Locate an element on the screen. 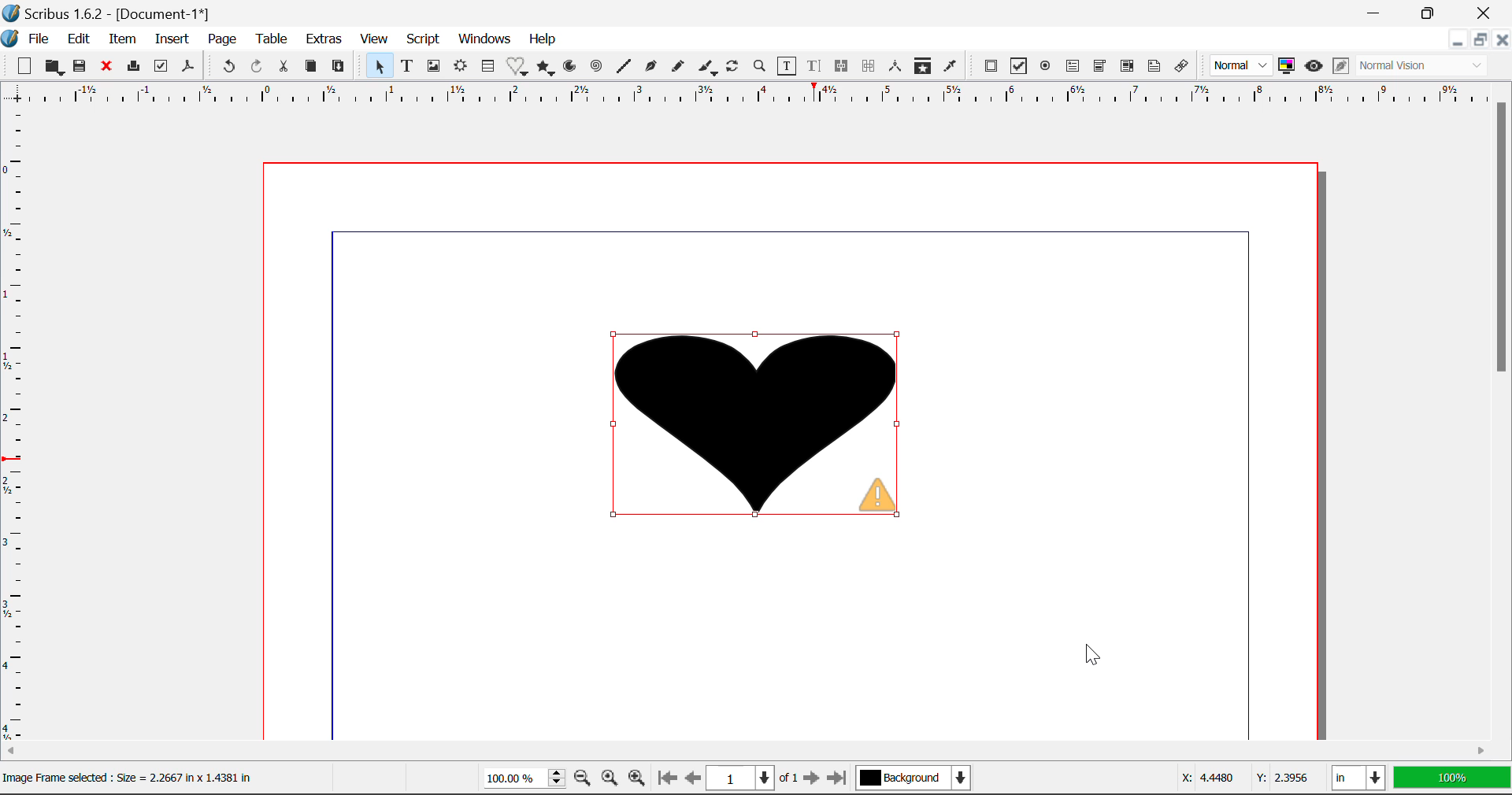  Open is located at coordinates (55, 67).